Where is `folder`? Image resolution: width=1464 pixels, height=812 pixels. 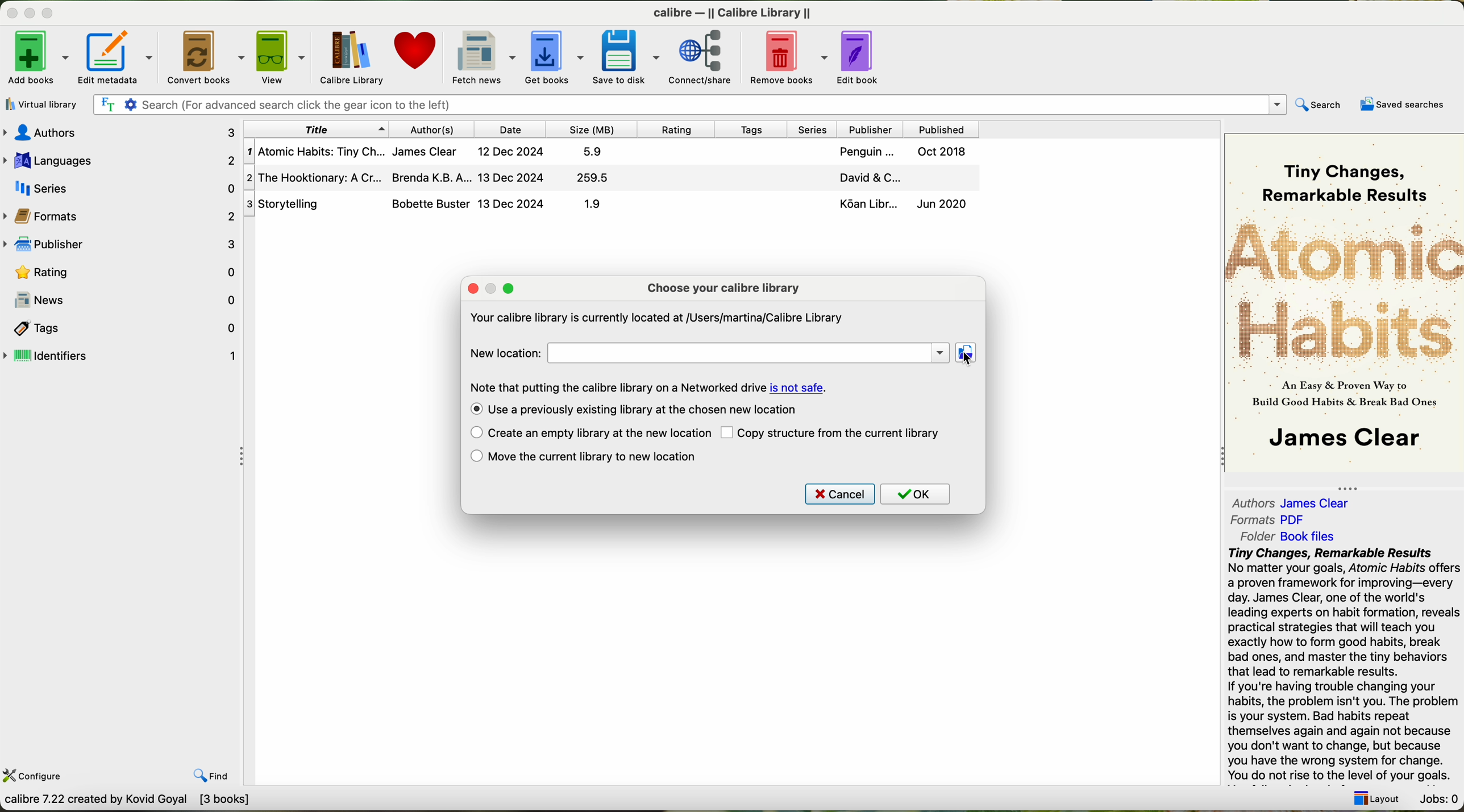 folder is located at coordinates (1255, 537).